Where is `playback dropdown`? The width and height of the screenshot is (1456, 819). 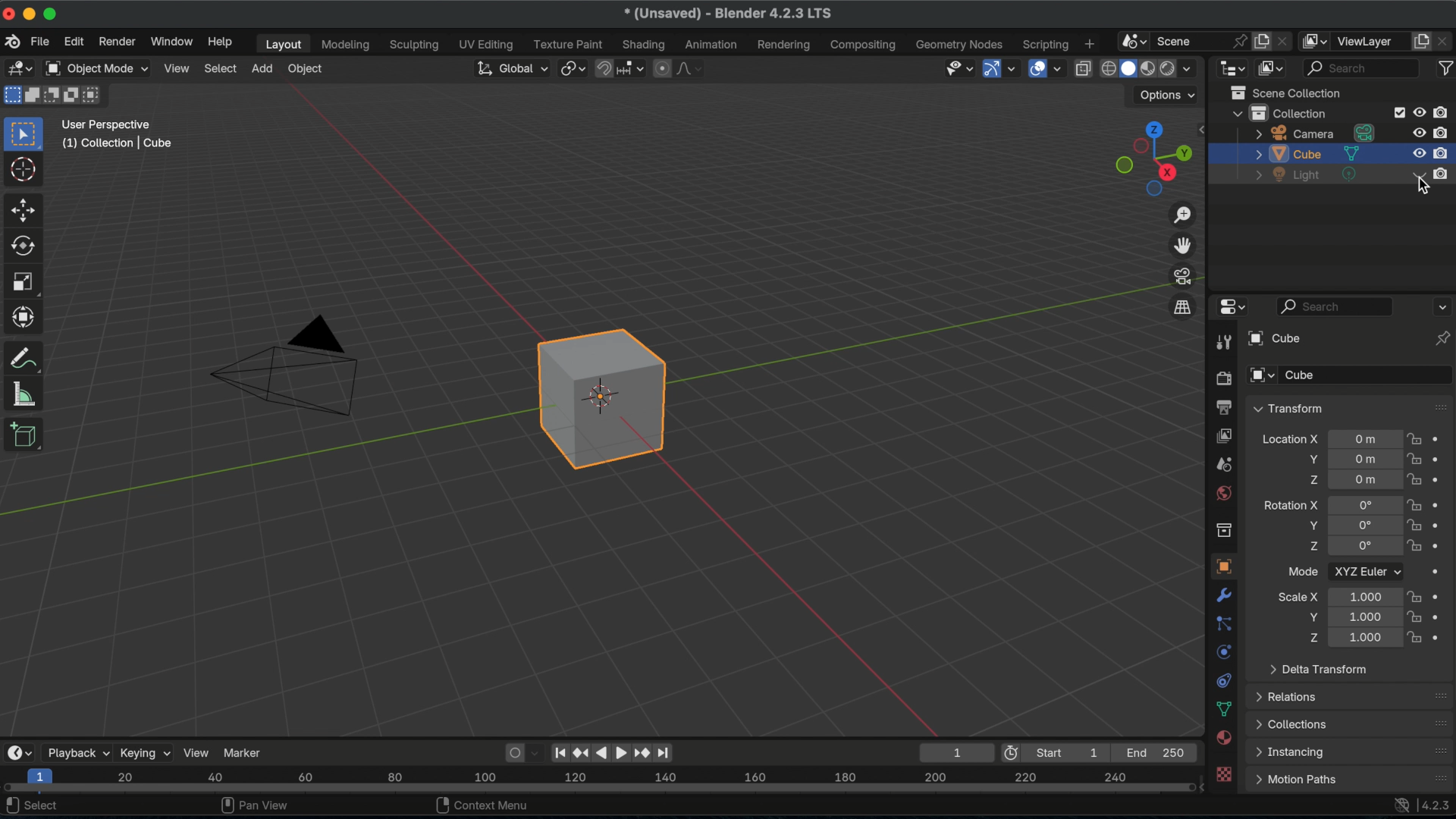 playback dropdown is located at coordinates (78, 750).